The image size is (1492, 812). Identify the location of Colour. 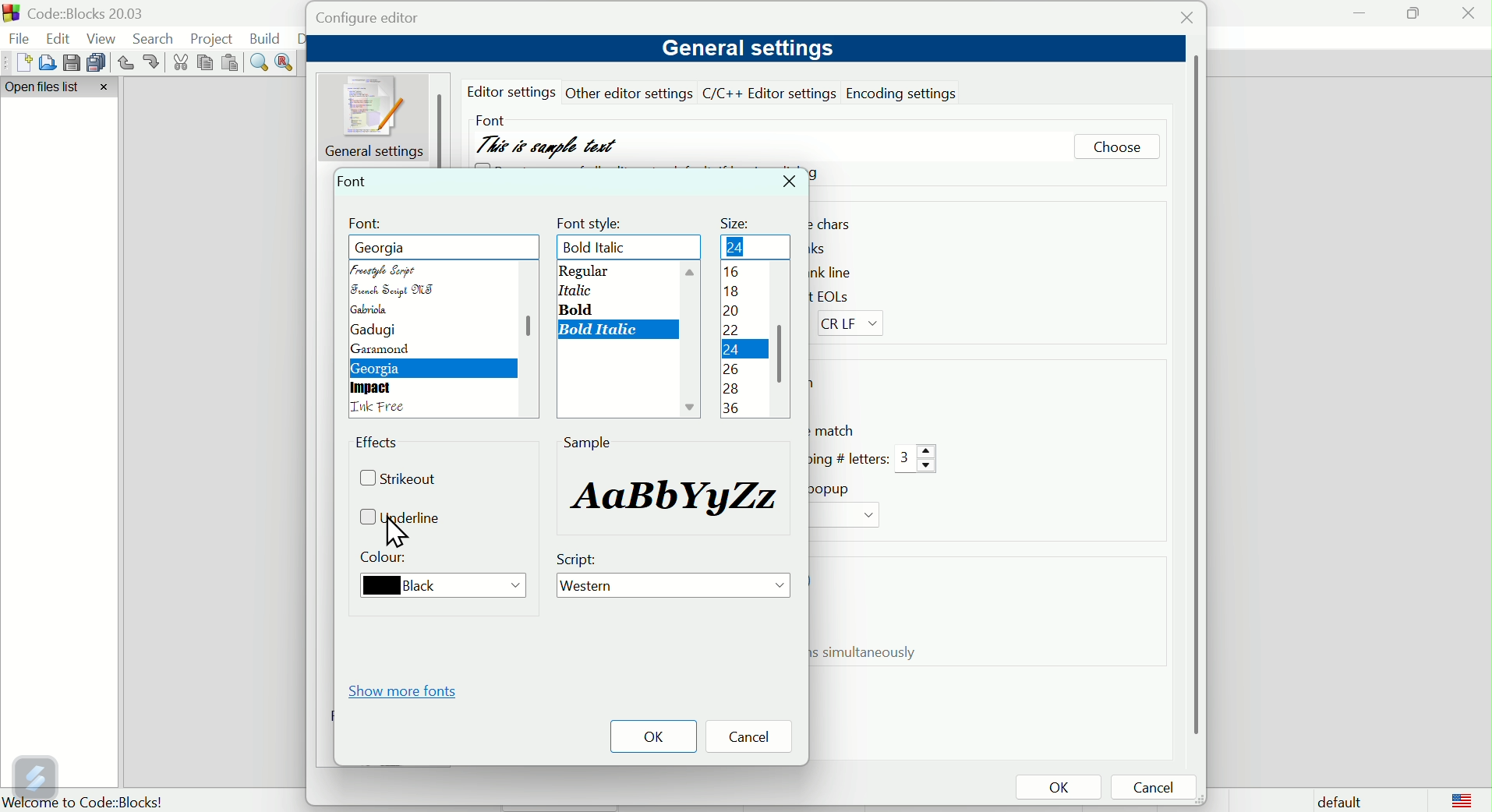
(387, 560).